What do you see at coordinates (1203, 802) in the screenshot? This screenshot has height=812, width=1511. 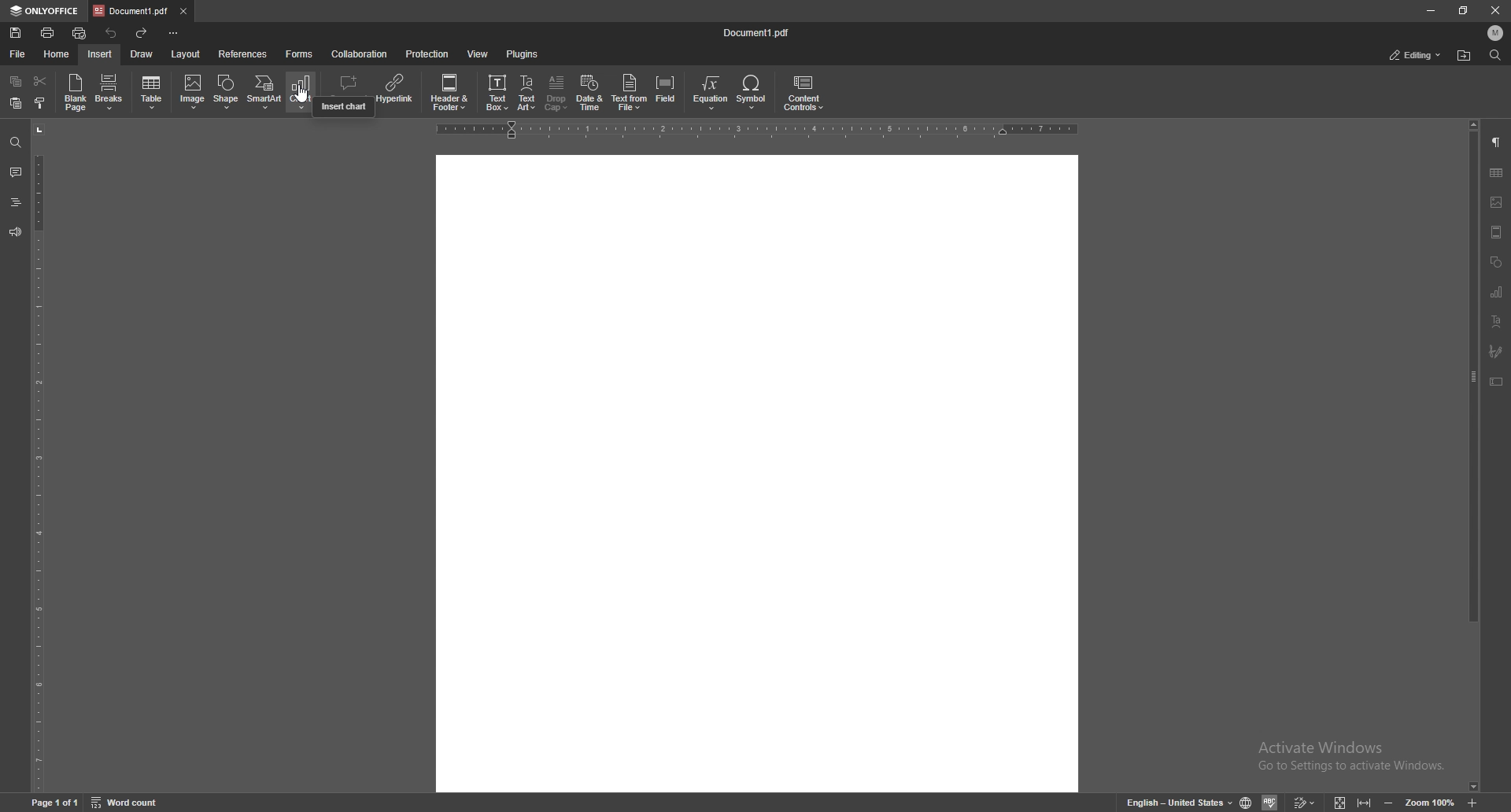 I see `English-United States` at bounding box center [1203, 802].